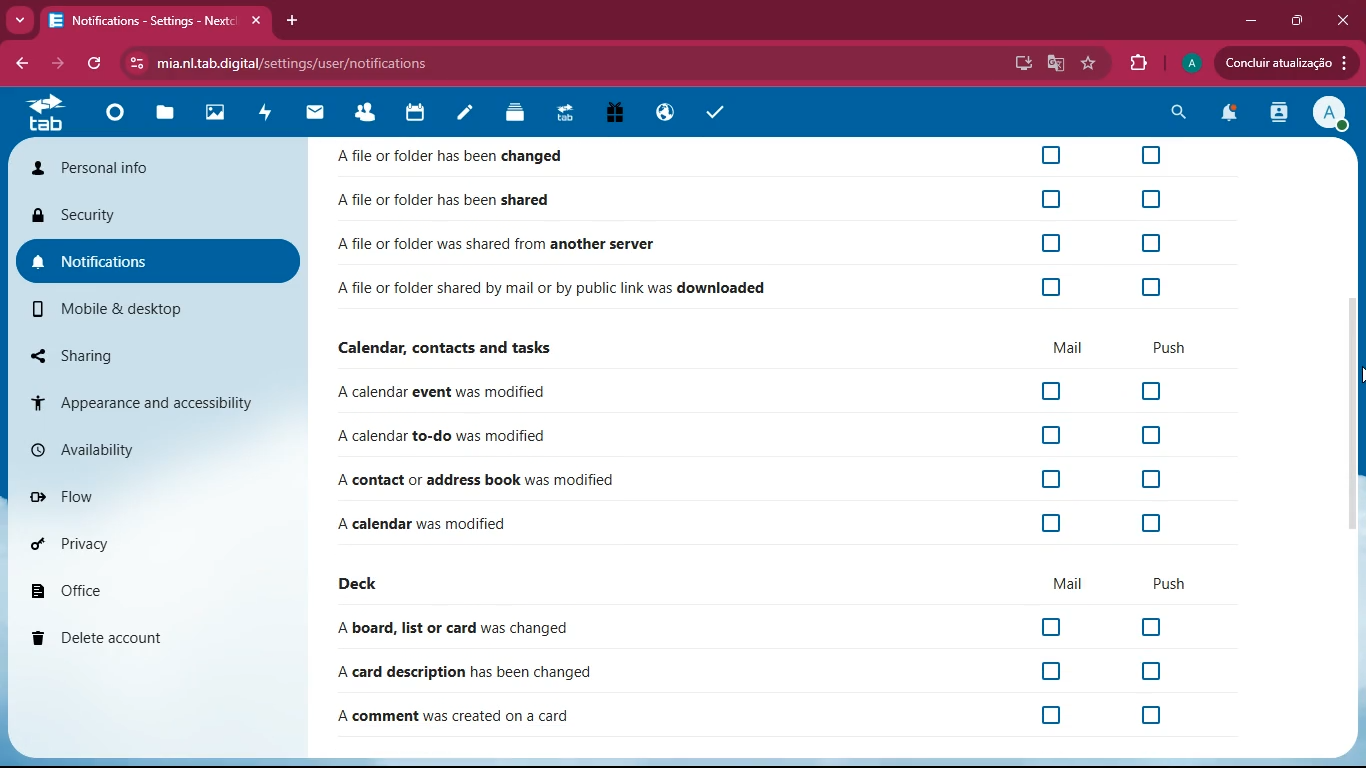  Describe the element at coordinates (1050, 437) in the screenshot. I see `off` at that location.